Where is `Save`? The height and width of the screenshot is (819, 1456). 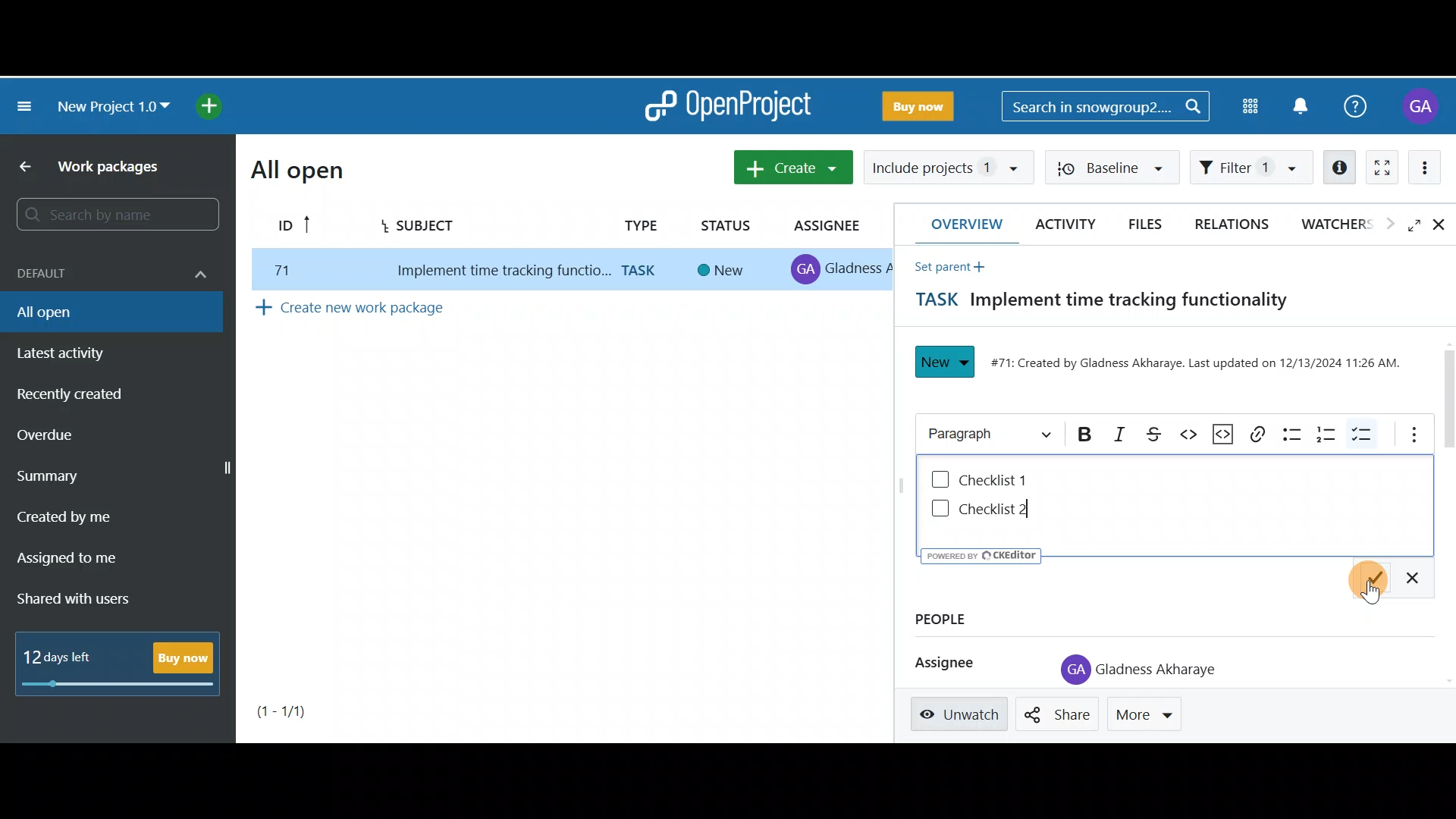
Save is located at coordinates (1360, 572).